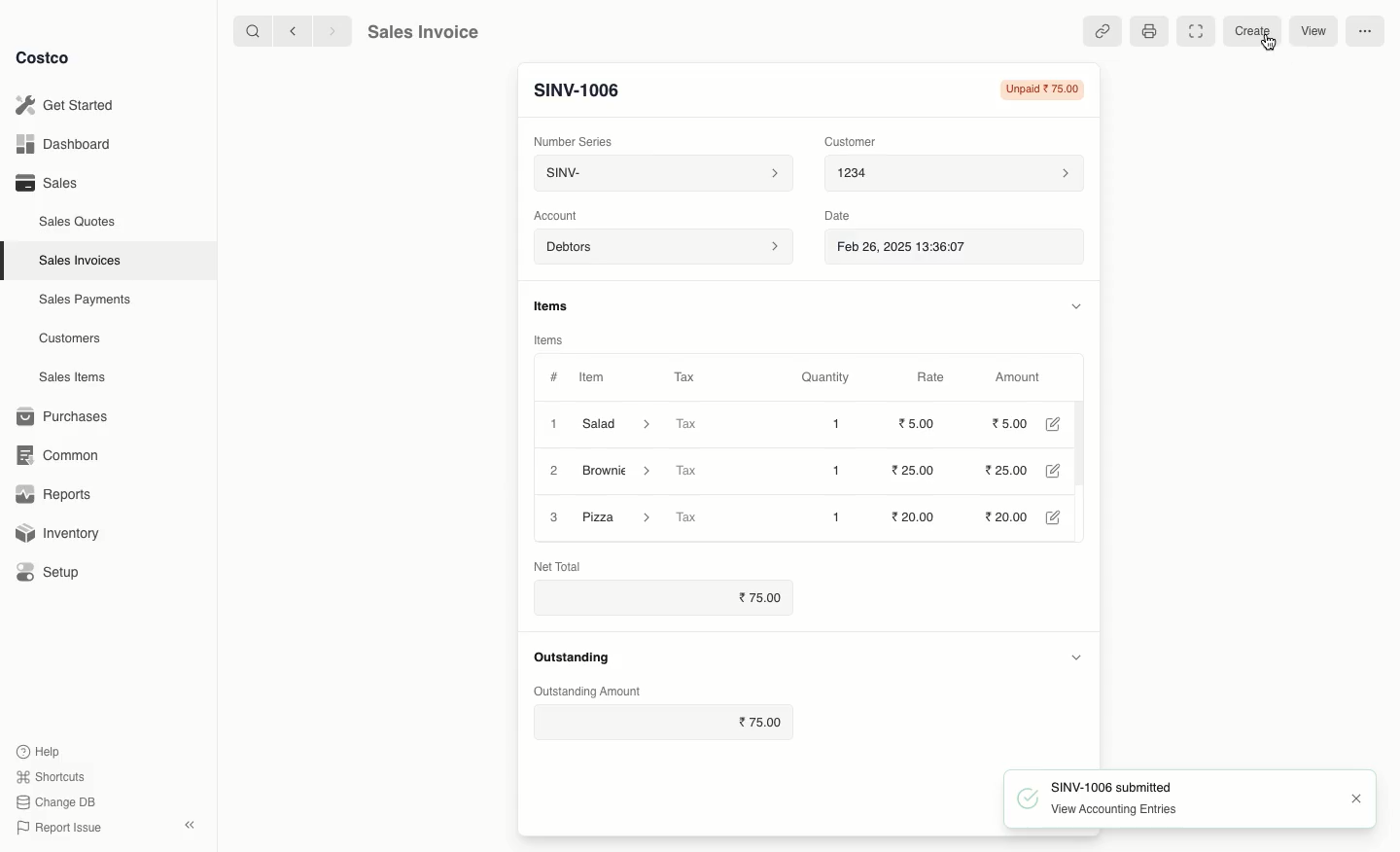  Describe the element at coordinates (558, 305) in the screenshot. I see `Items` at that location.